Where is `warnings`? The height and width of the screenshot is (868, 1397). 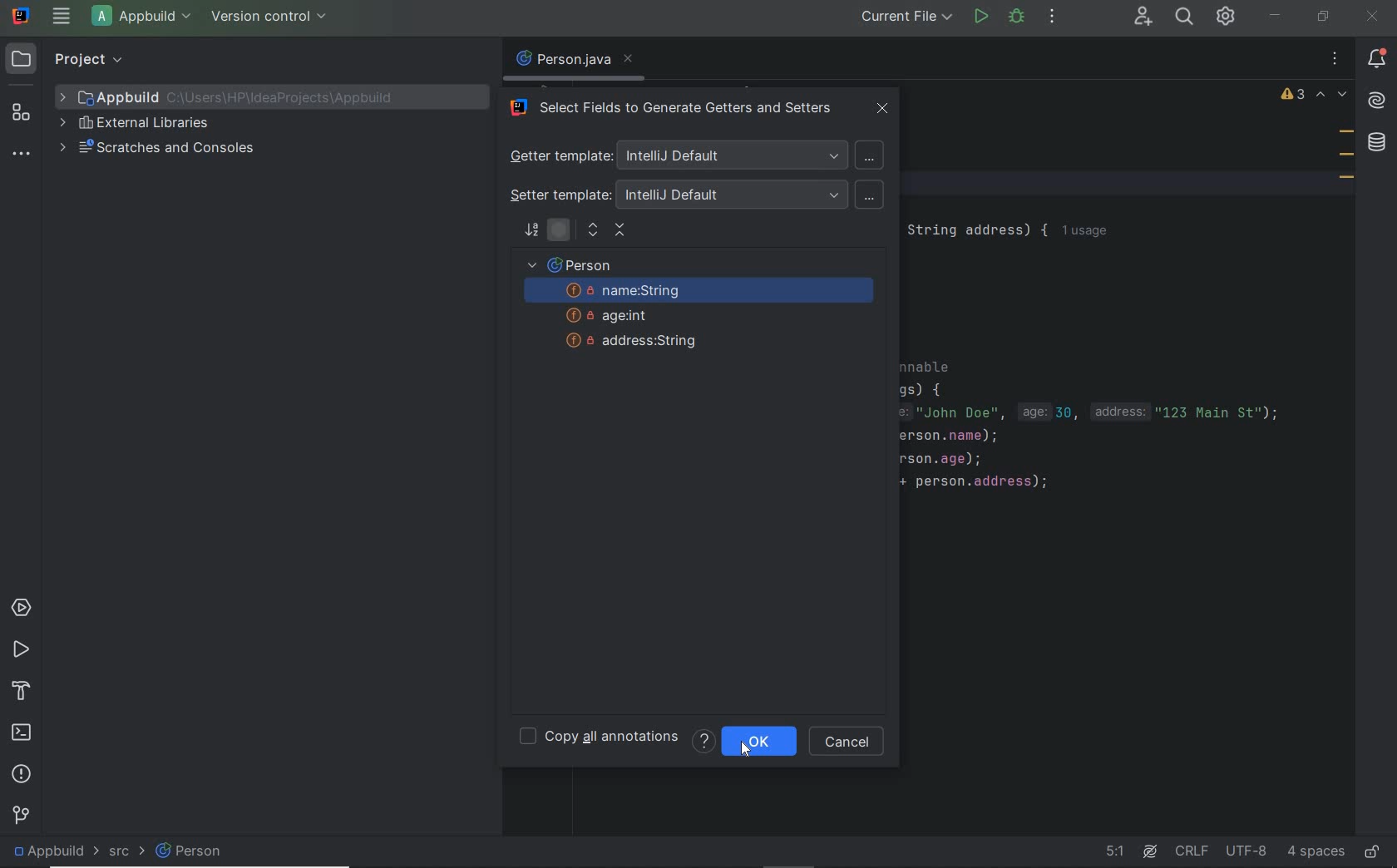 warnings is located at coordinates (1293, 96).